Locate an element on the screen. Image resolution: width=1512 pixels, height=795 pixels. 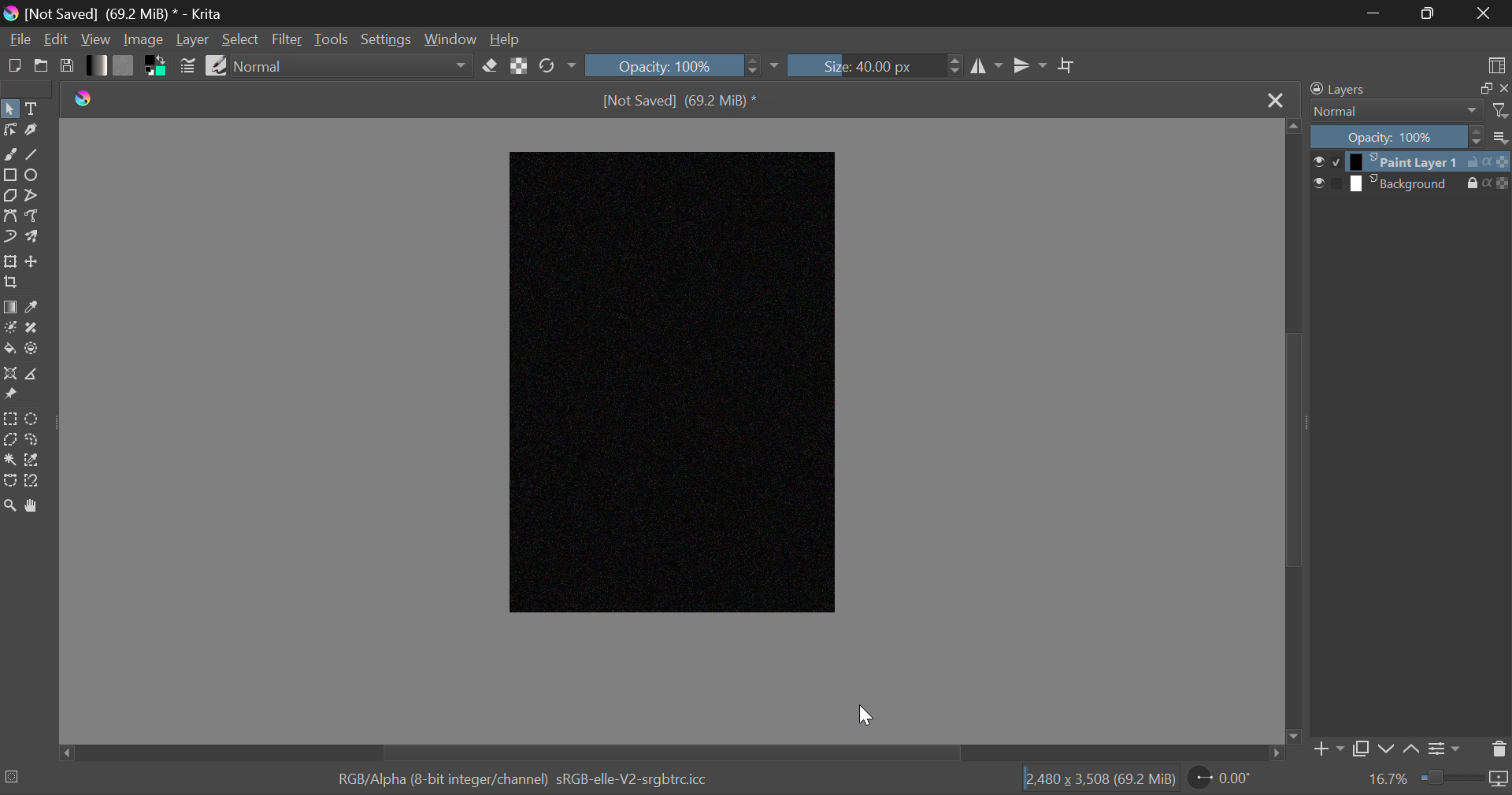
Zoom is located at coordinates (1465, 781).